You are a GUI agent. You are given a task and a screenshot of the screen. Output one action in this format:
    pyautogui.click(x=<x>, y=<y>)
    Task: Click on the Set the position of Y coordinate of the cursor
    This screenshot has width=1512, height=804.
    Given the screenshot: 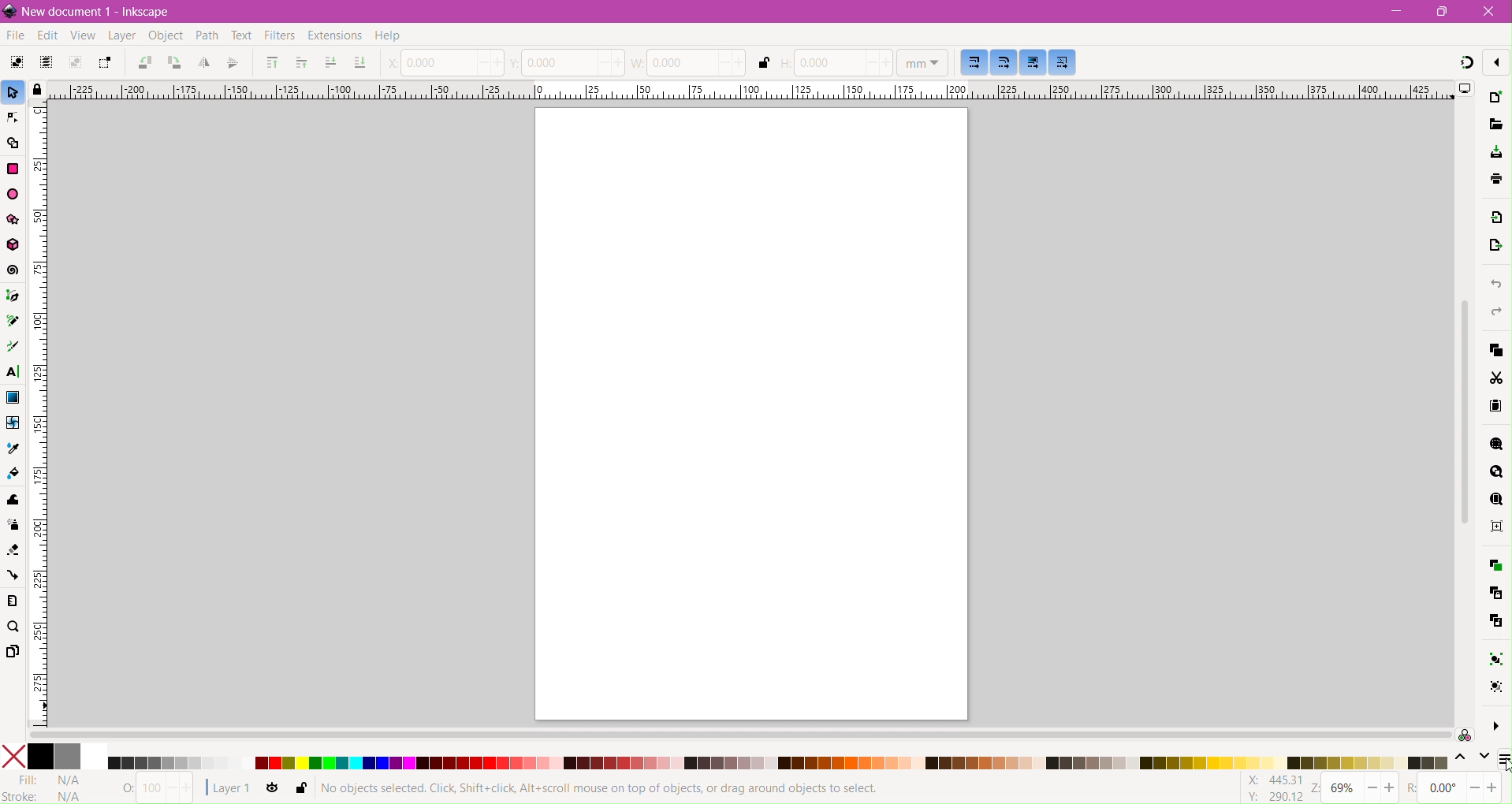 What is the action you would take?
    pyautogui.click(x=568, y=61)
    